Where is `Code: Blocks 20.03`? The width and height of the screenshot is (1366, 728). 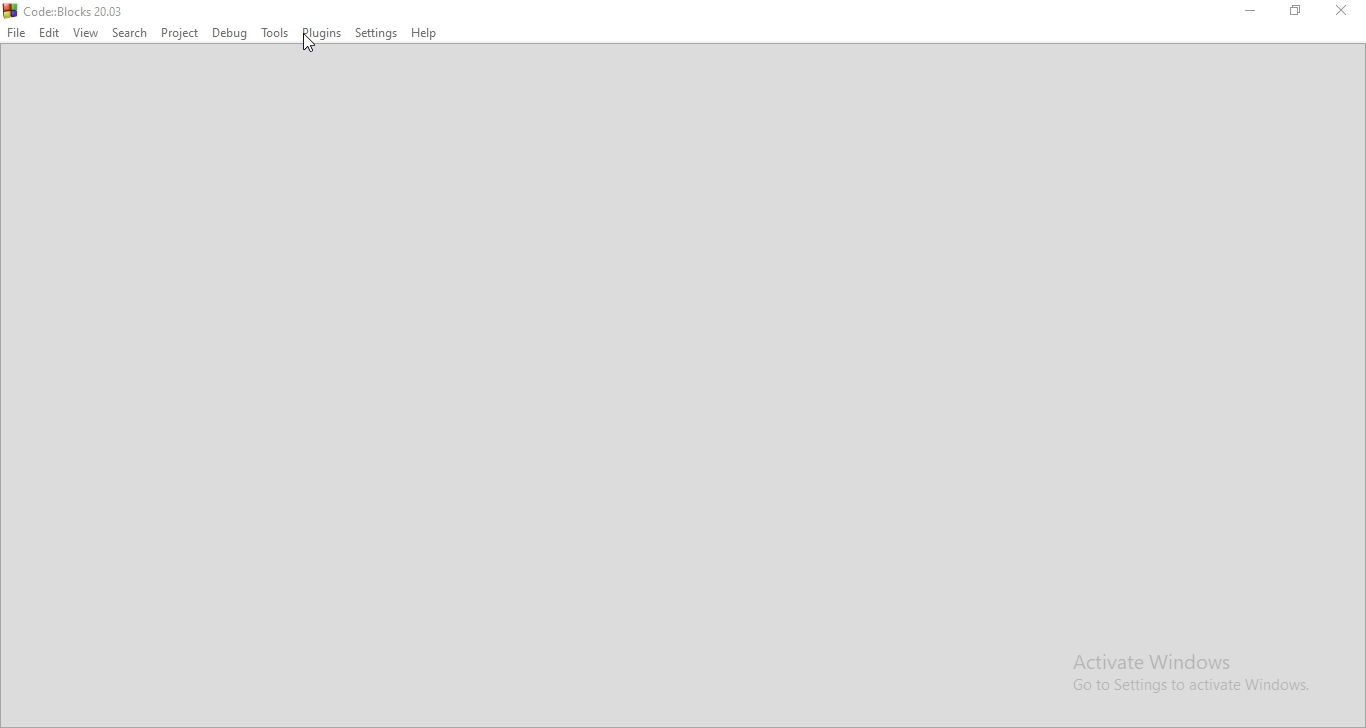
Code: Blocks 20.03 is located at coordinates (77, 11).